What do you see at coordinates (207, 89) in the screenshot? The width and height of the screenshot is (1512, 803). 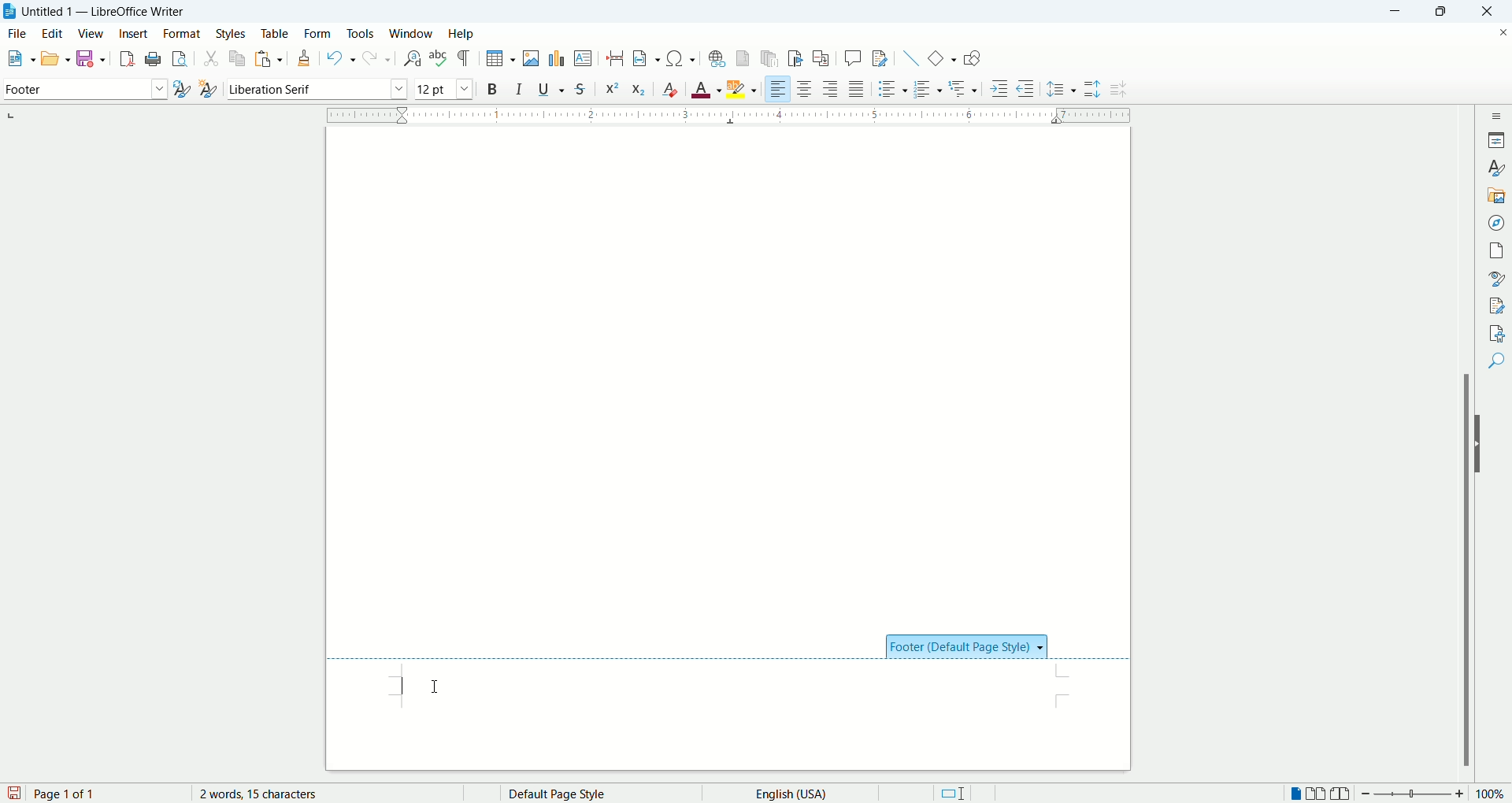 I see `new style` at bounding box center [207, 89].